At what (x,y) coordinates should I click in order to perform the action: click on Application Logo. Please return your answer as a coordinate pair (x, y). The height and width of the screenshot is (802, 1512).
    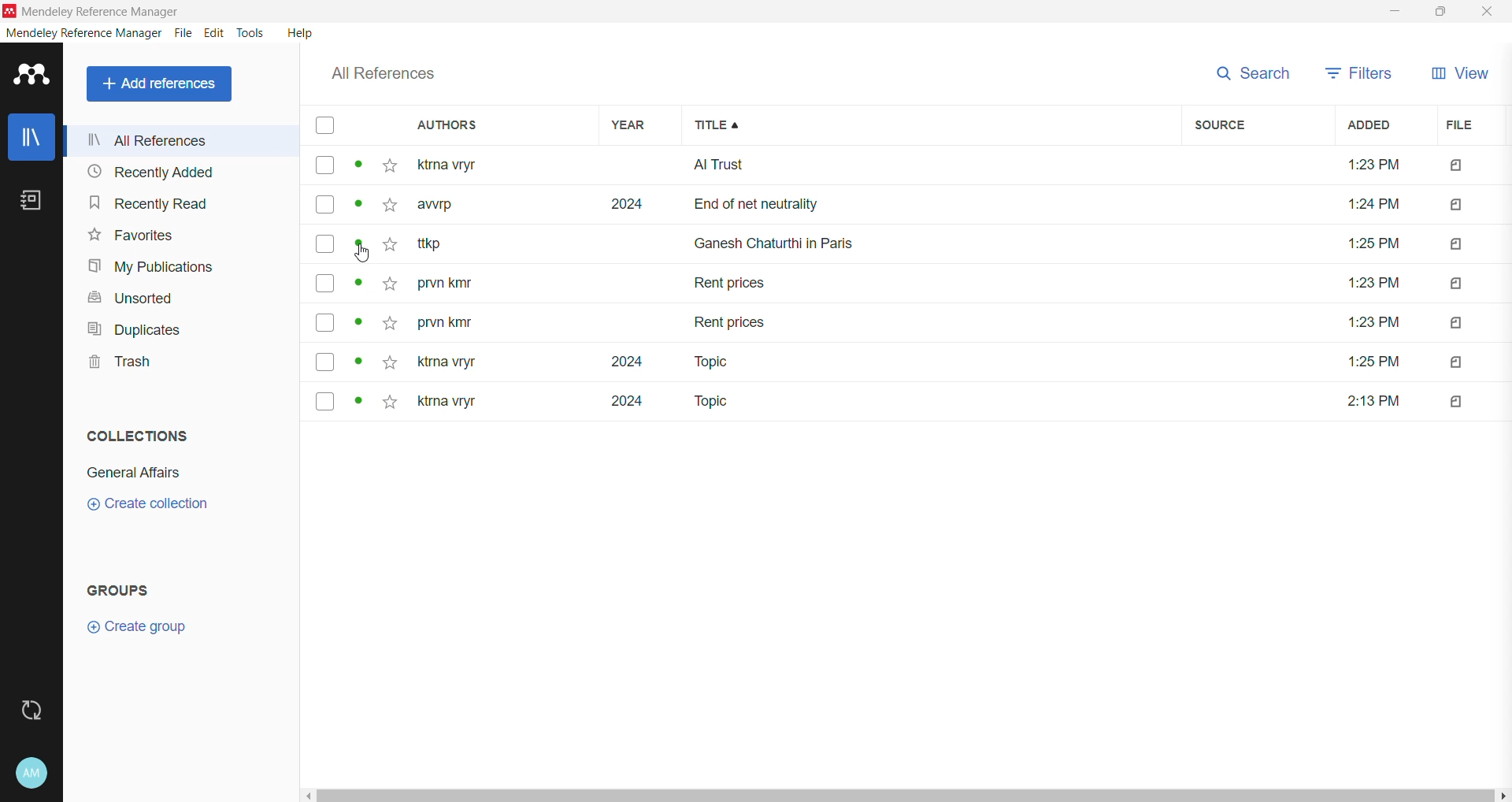
    Looking at the image, I should click on (31, 76).